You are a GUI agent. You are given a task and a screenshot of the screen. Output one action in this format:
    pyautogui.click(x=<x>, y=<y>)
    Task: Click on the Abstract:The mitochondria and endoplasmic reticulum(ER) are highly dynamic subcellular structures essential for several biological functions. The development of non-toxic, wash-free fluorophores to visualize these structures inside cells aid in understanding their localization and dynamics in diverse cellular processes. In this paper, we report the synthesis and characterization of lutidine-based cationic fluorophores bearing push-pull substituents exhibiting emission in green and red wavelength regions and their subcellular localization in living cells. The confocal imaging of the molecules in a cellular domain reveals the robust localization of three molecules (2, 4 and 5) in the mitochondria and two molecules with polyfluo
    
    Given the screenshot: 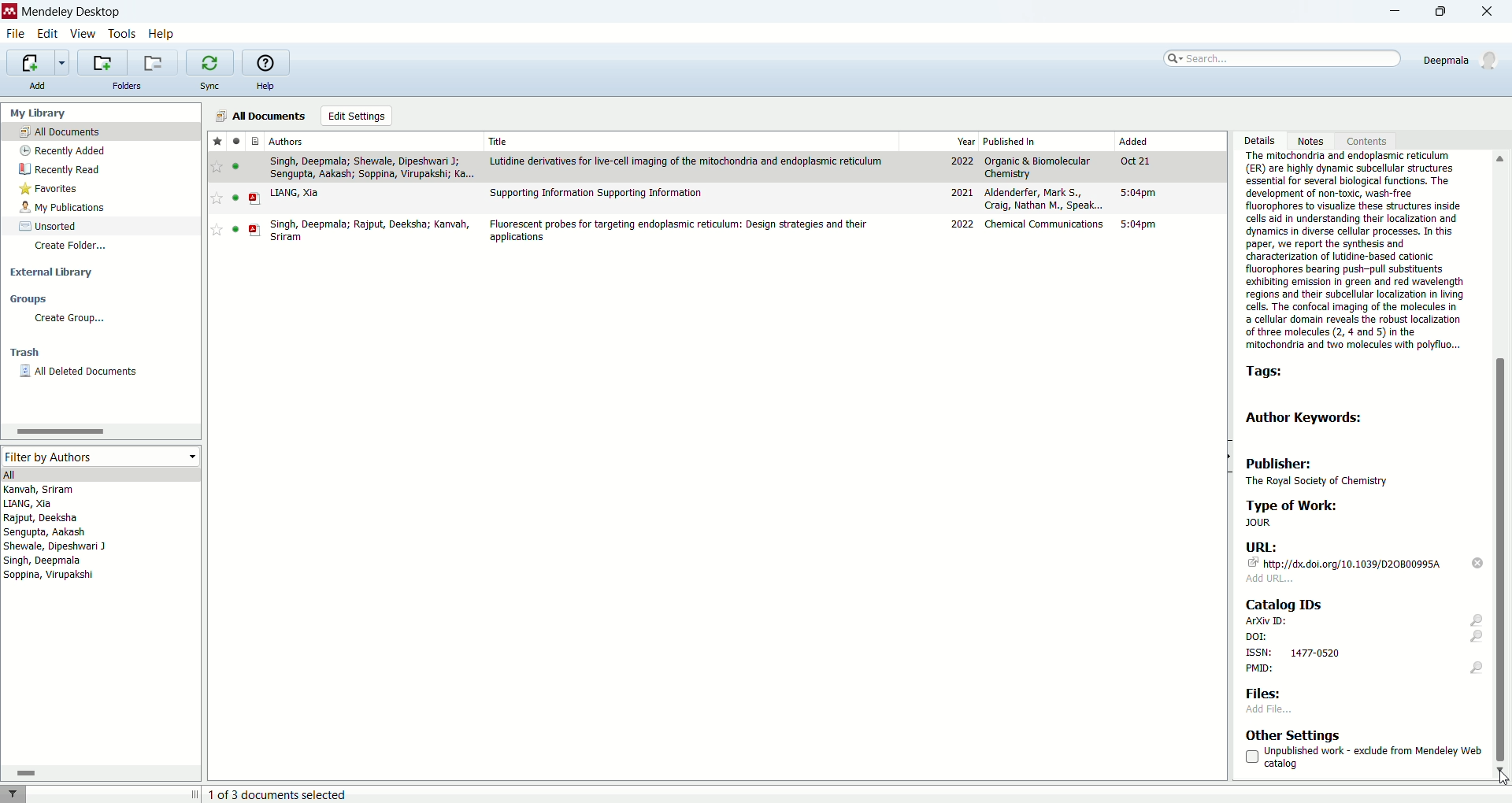 What is the action you would take?
    pyautogui.click(x=1354, y=252)
    